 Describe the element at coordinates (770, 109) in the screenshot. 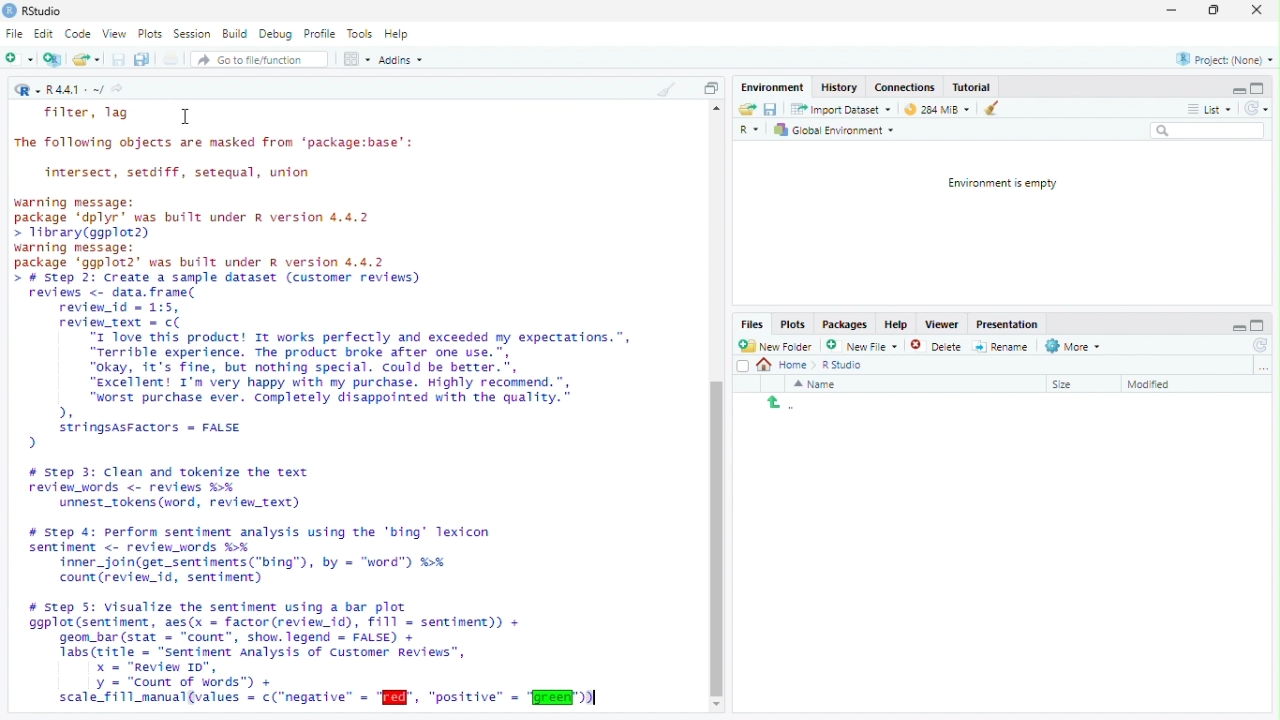

I see `Save` at that location.